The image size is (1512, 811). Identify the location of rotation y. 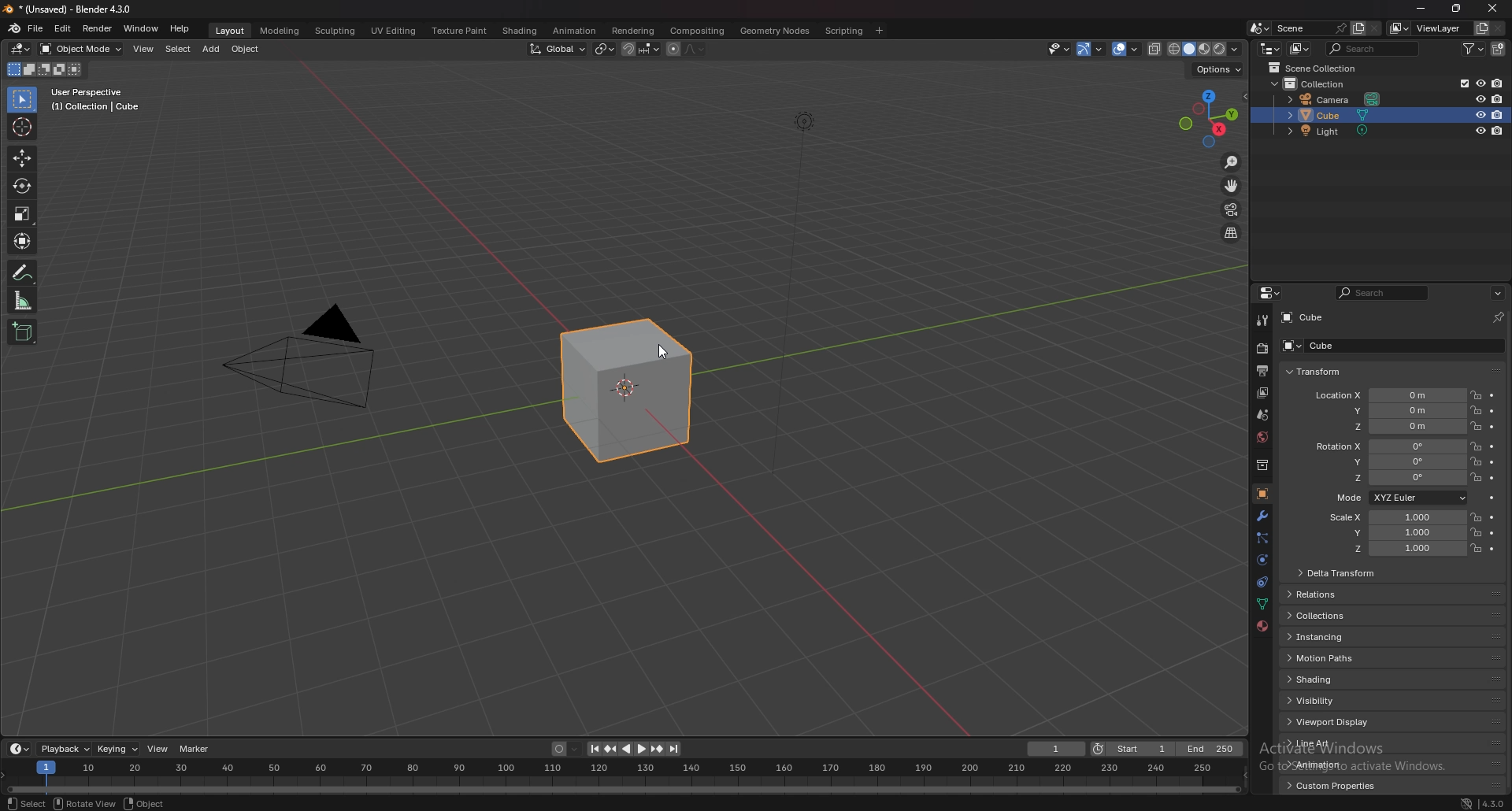
(1392, 463).